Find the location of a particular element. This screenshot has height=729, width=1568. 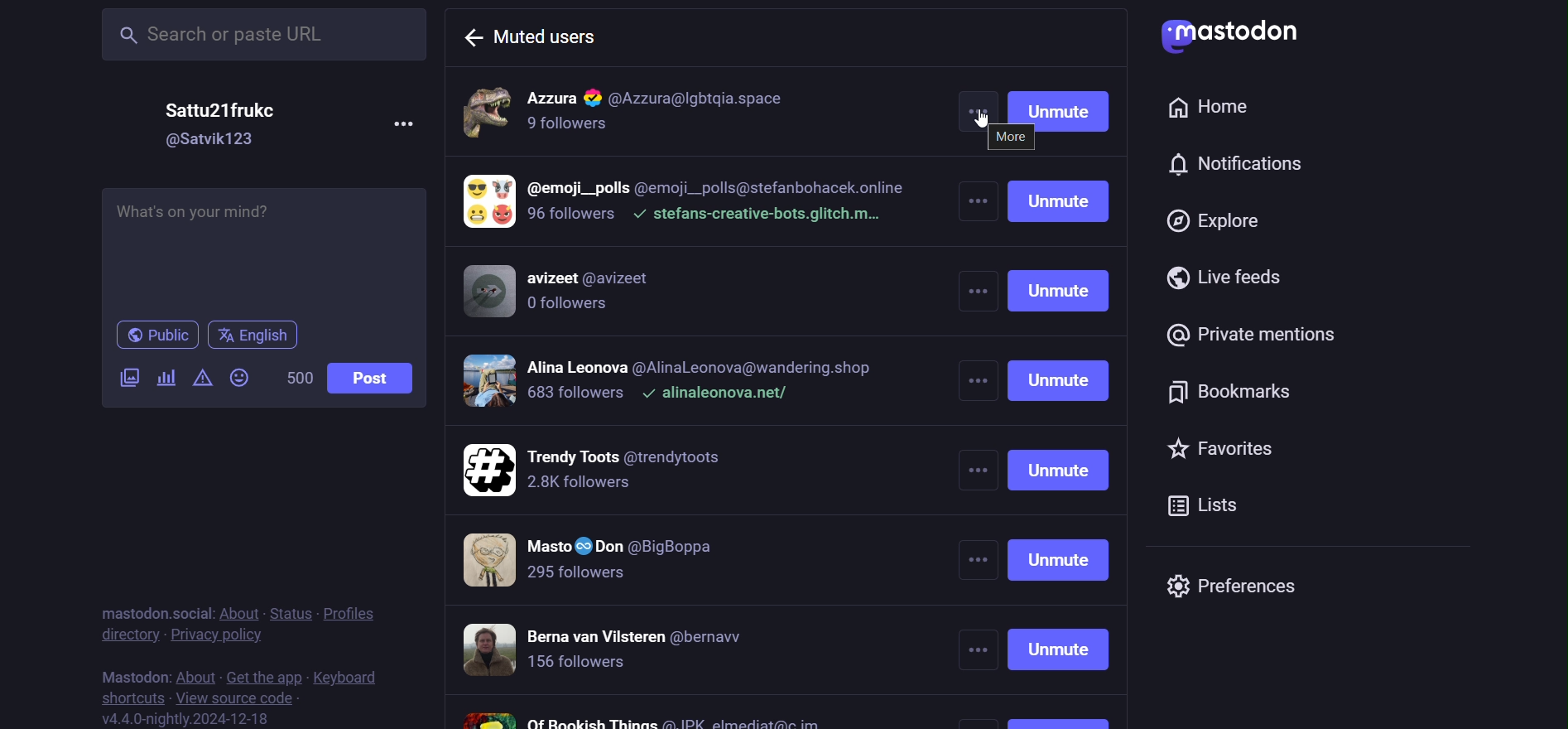

muted user is located at coordinates (551, 37).